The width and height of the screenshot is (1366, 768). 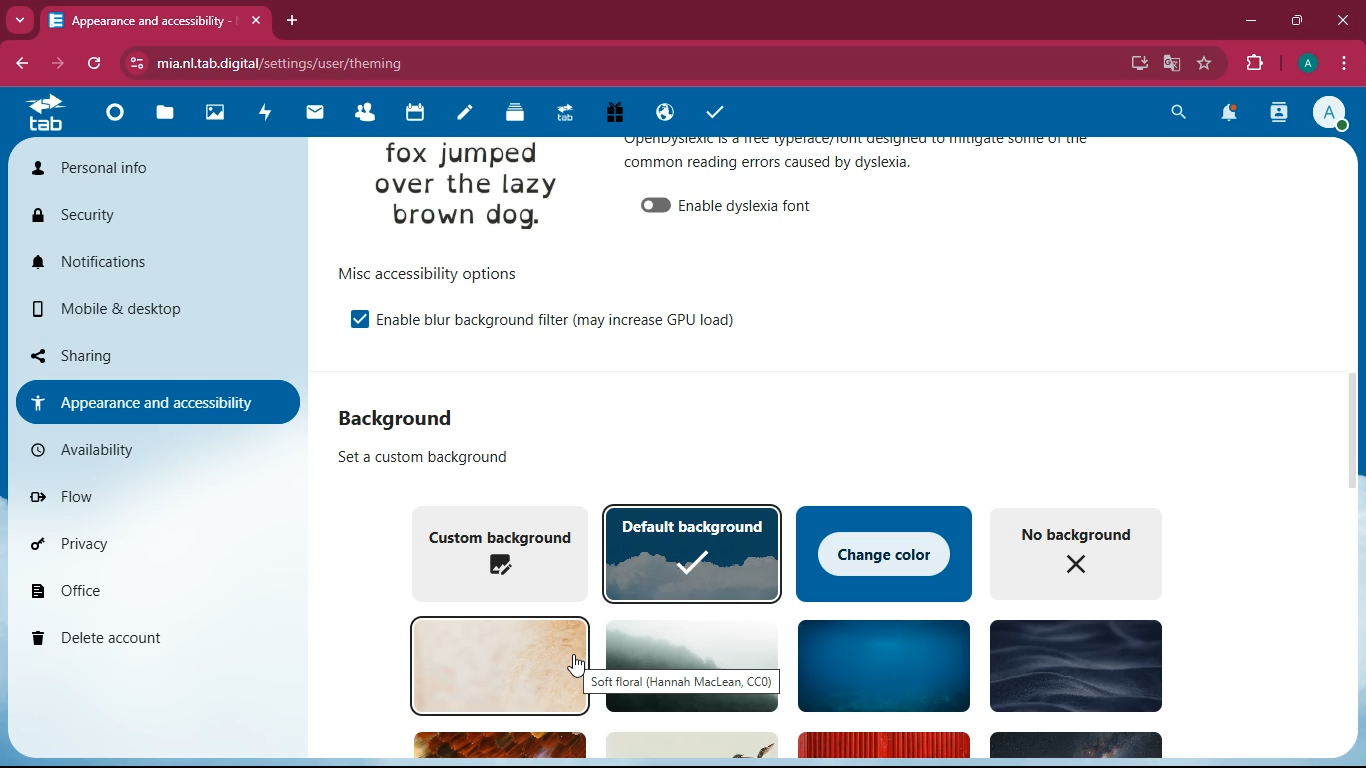 I want to click on background, so click(x=496, y=664).